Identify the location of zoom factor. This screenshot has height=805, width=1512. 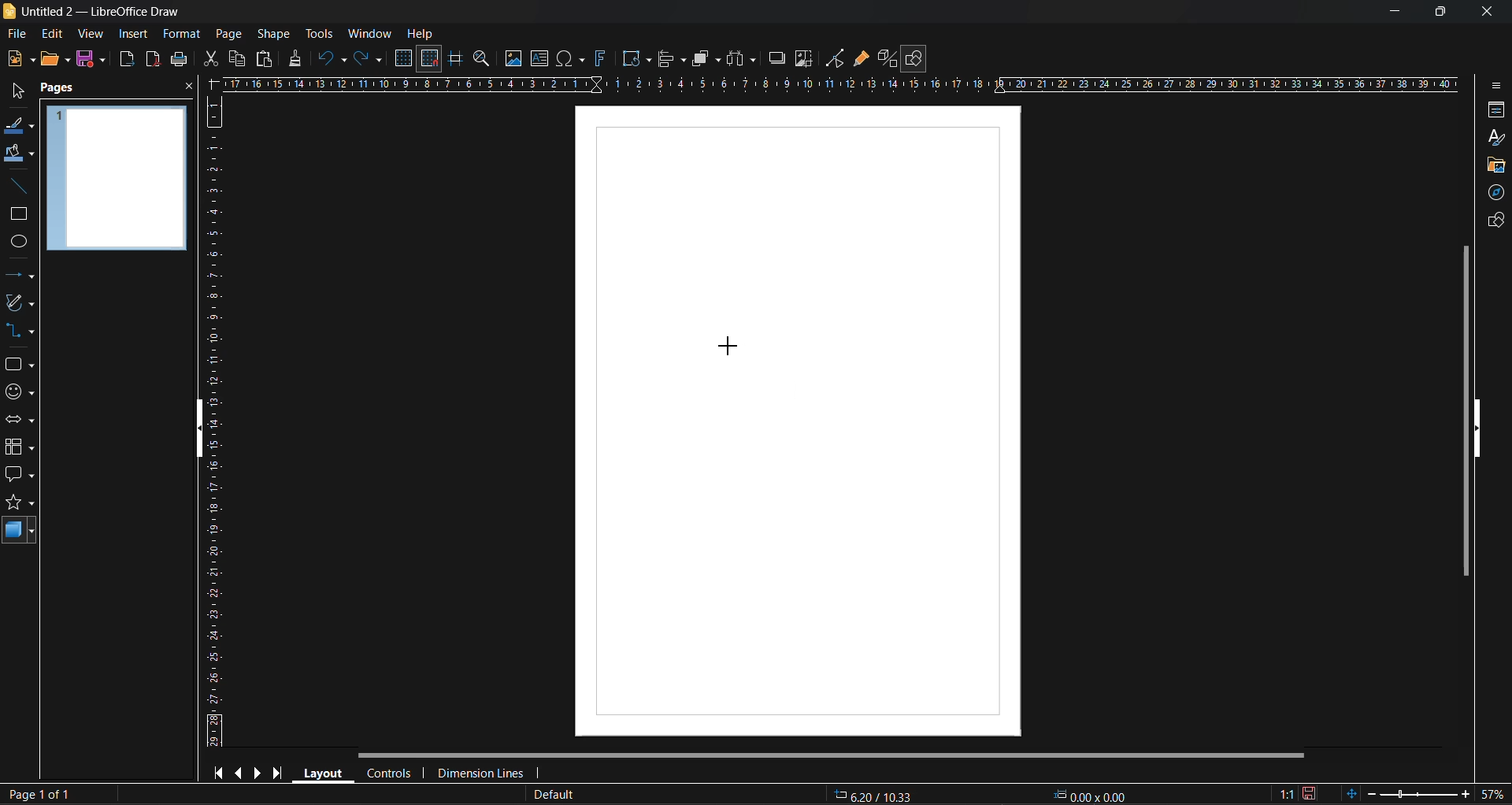
(1494, 792).